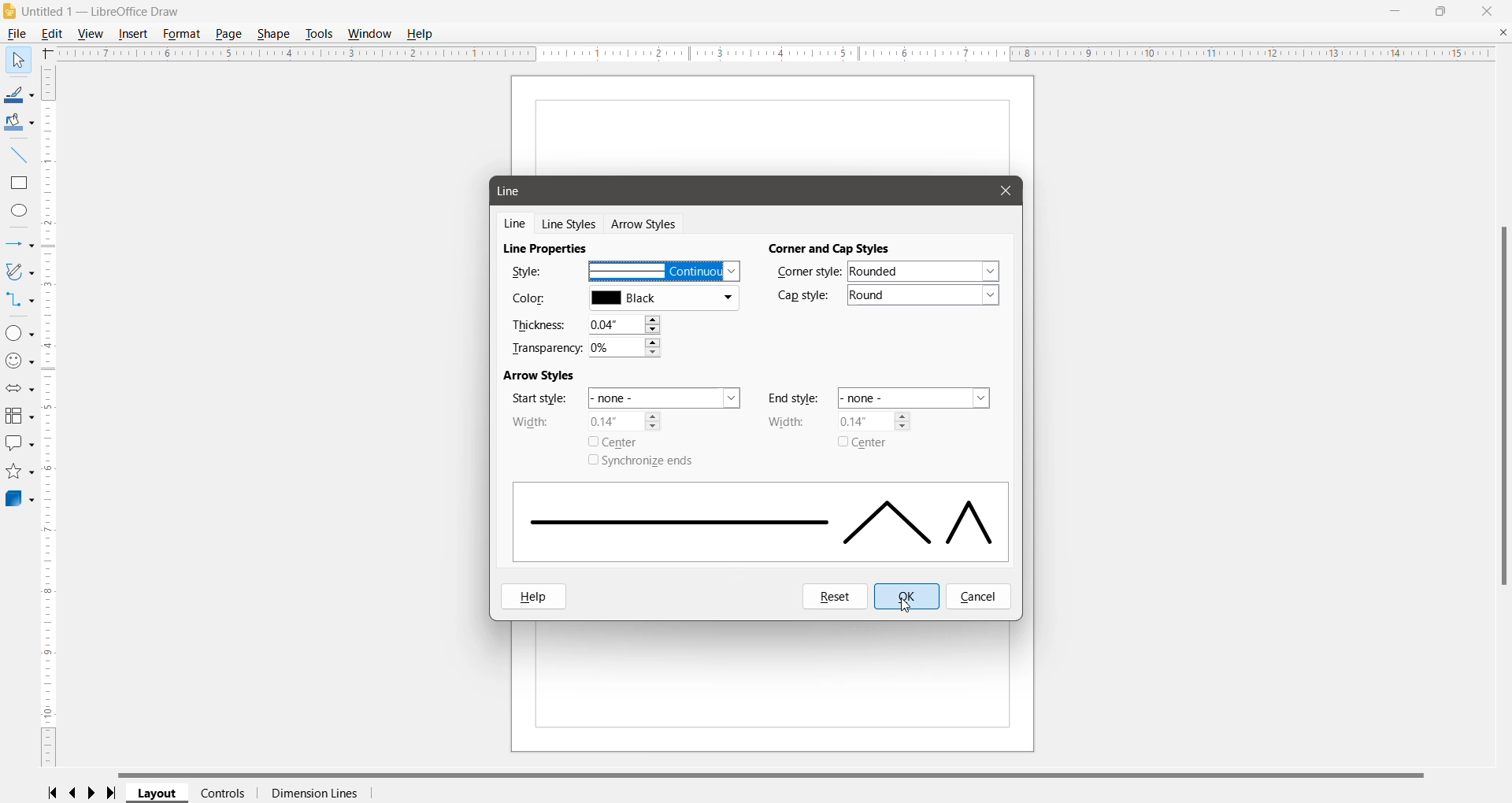 This screenshot has width=1512, height=803. Describe the element at coordinates (1442, 12) in the screenshot. I see `Restore Down` at that location.